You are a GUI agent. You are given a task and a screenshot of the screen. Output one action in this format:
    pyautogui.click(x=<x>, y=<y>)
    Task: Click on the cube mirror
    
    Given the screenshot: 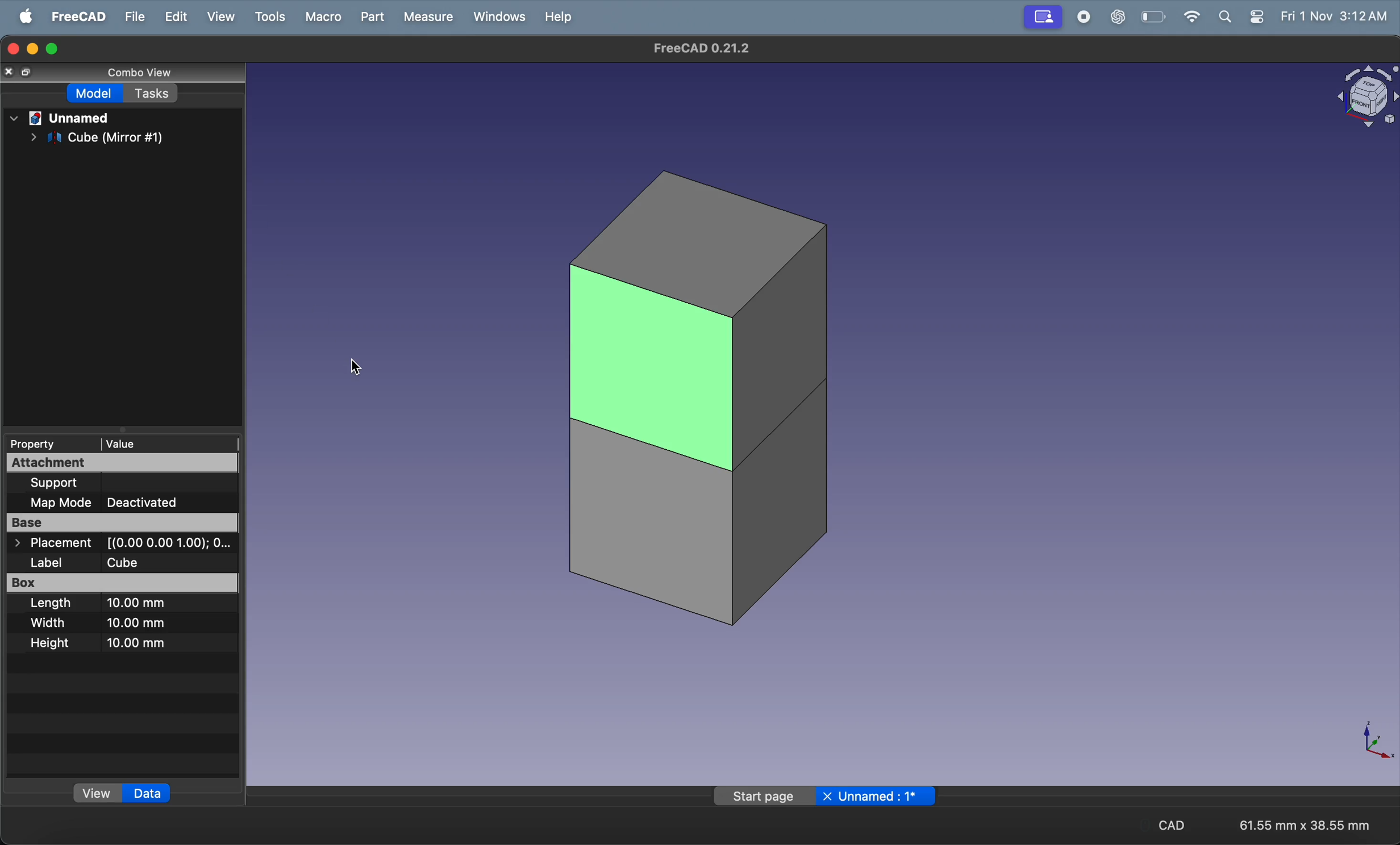 What is the action you would take?
    pyautogui.click(x=92, y=139)
    